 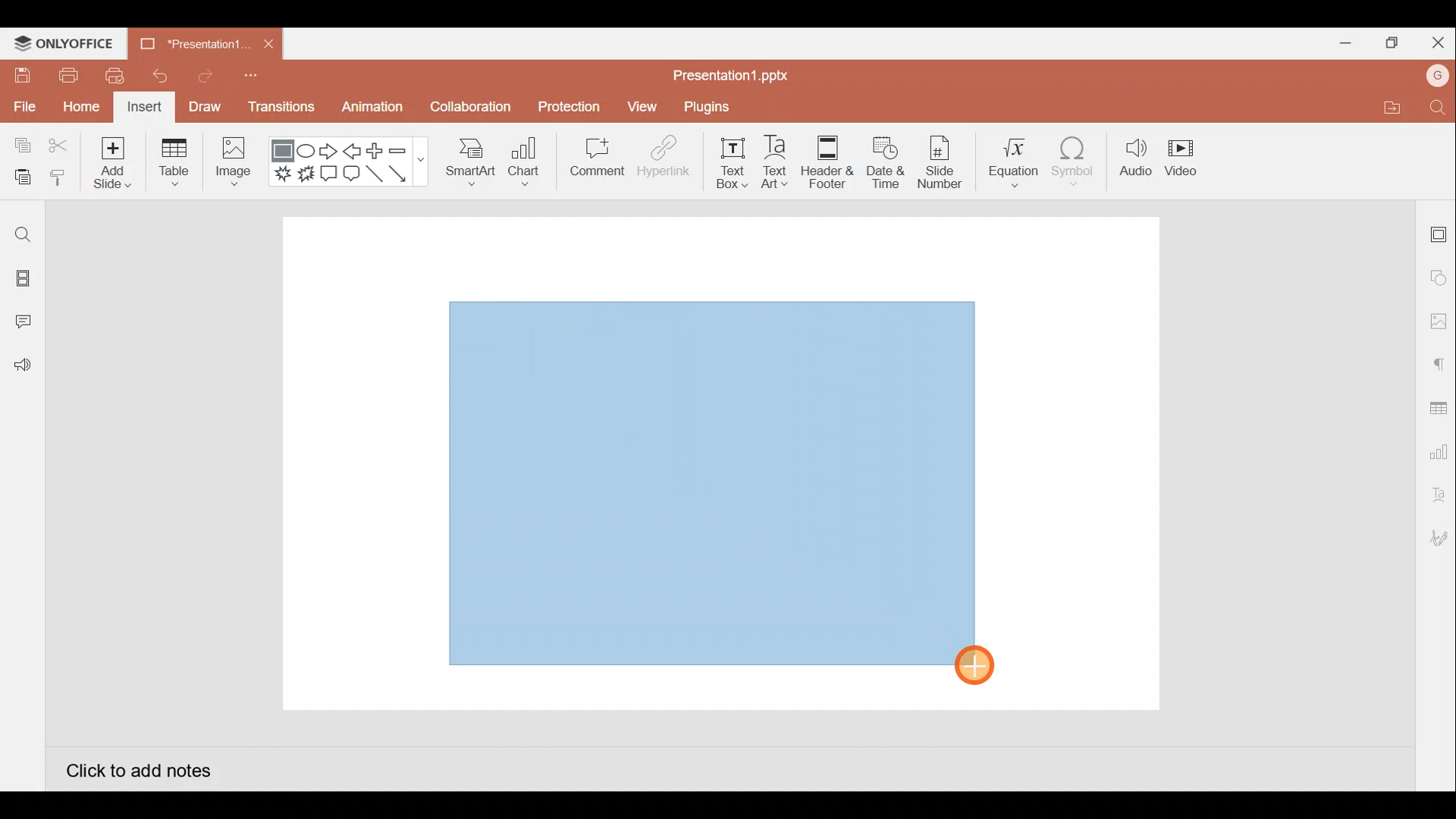 I want to click on Save, so click(x=20, y=74).